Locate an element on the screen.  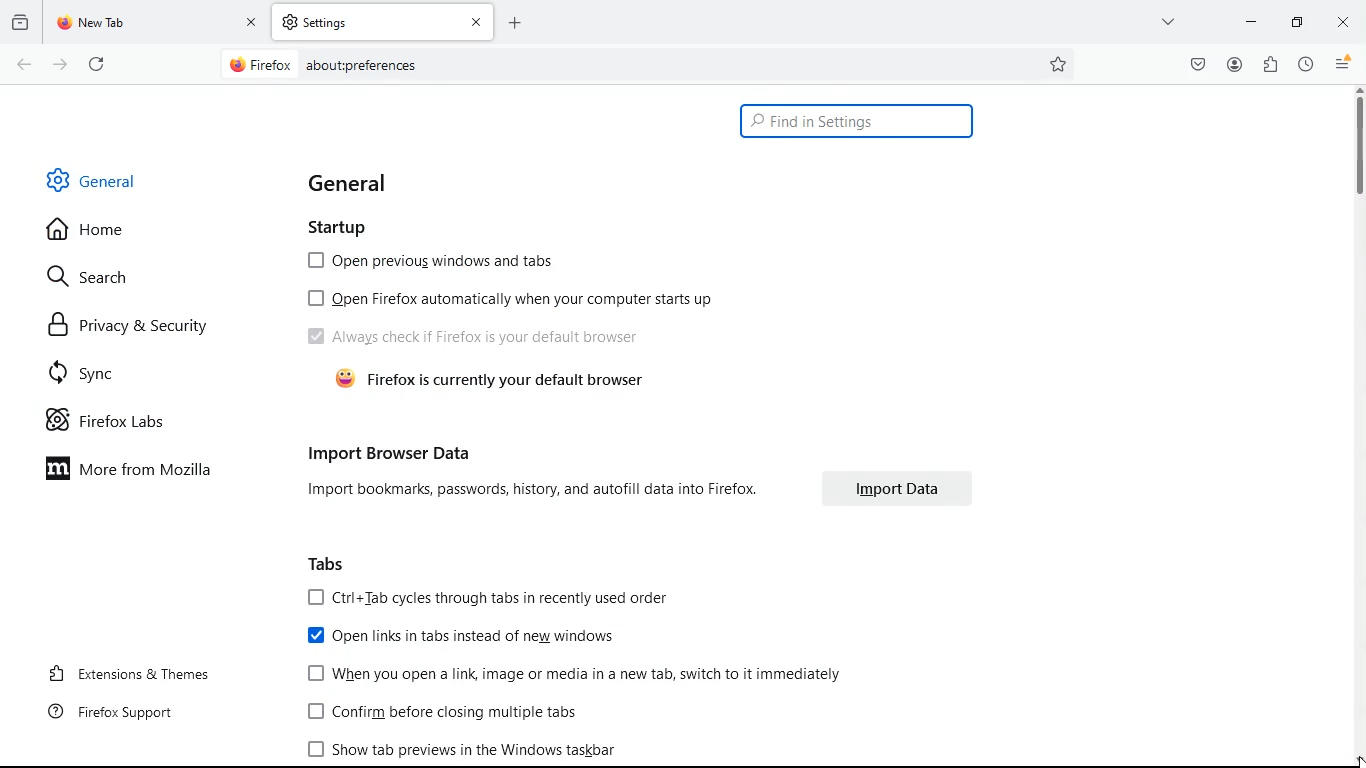
firefox support is located at coordinates (108, 717).